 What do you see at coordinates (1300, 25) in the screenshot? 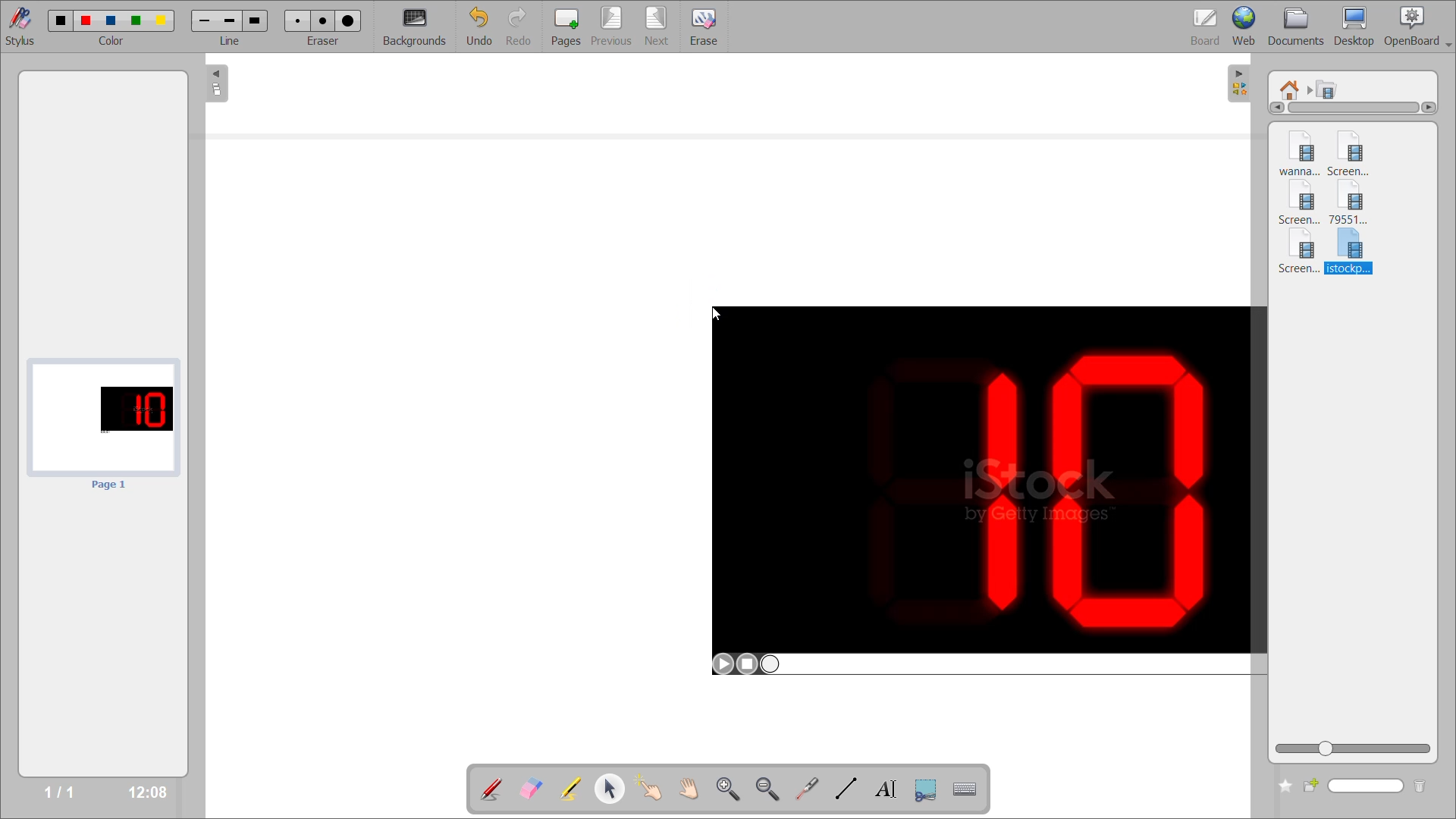
I see `documents` at bounding box center [1300, 25].